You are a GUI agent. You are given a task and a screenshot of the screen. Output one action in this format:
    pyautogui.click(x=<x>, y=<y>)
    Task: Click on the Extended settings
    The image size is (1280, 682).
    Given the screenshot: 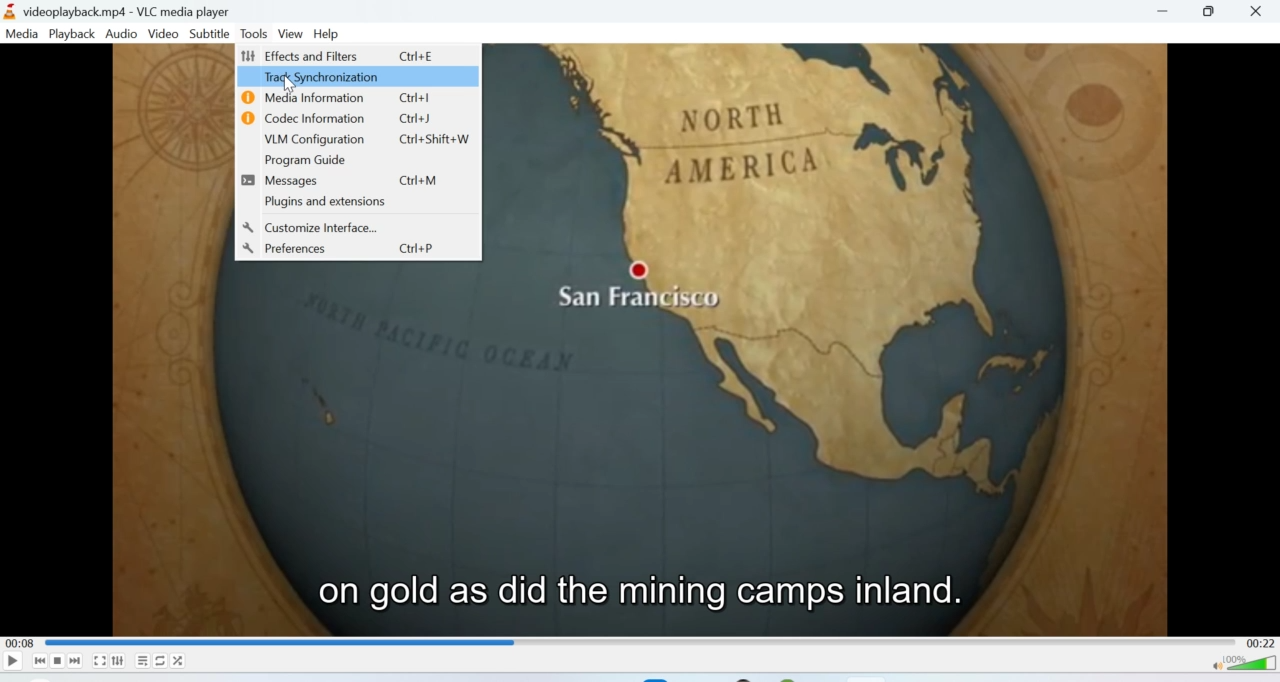 What is the action you would take?
    pyautogui.click(x=118, y=661)
    